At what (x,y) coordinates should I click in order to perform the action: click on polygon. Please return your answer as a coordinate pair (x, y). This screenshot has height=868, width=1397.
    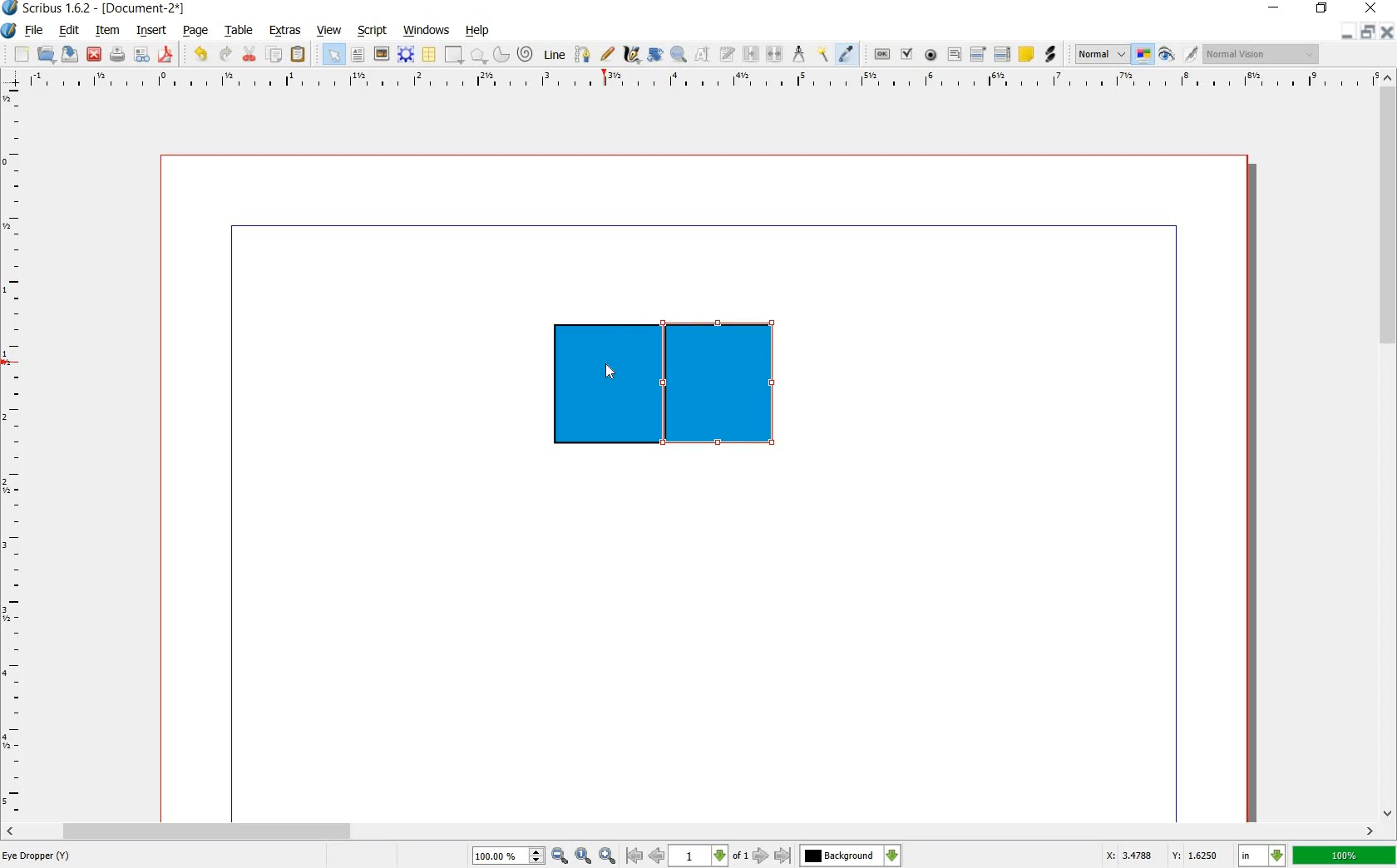
    Looking at the image, I should click on (478, 56).